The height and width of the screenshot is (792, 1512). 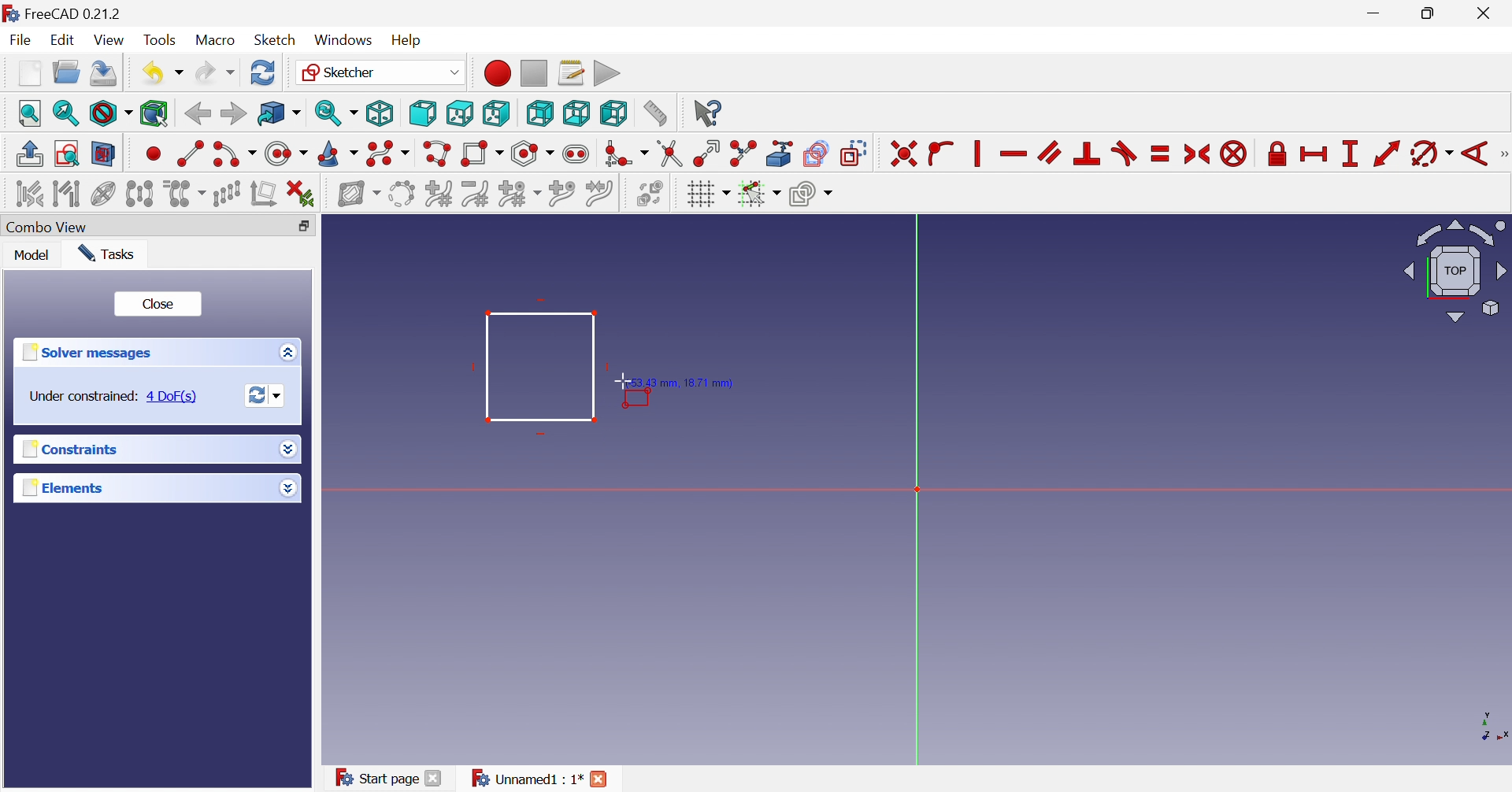 What do you see at coordinates (336, 113) in the screenshot?
I see `Sync view` at bounding box center [336, 113].